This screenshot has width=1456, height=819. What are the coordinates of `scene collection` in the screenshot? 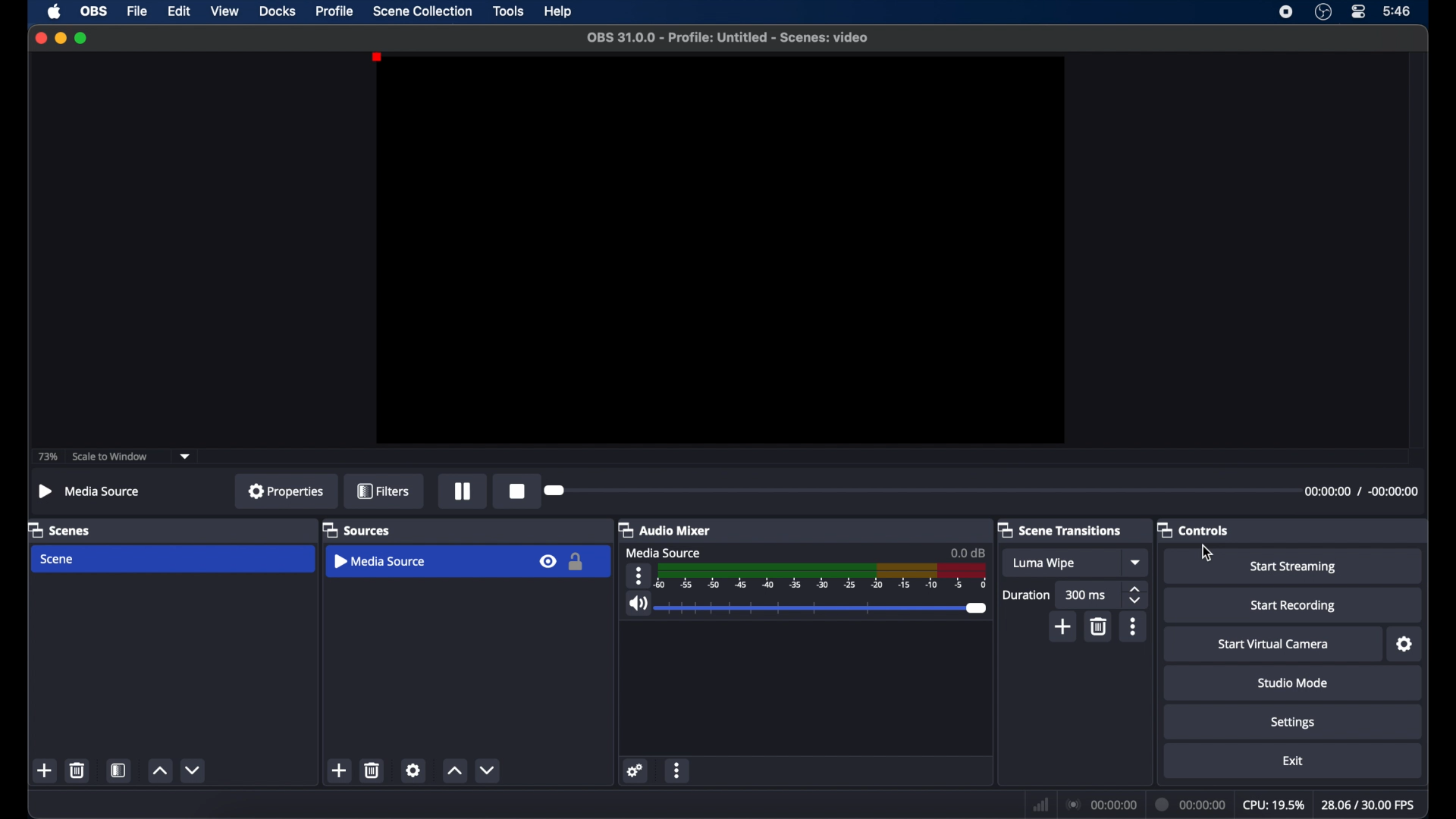 It's located at (423, 11).